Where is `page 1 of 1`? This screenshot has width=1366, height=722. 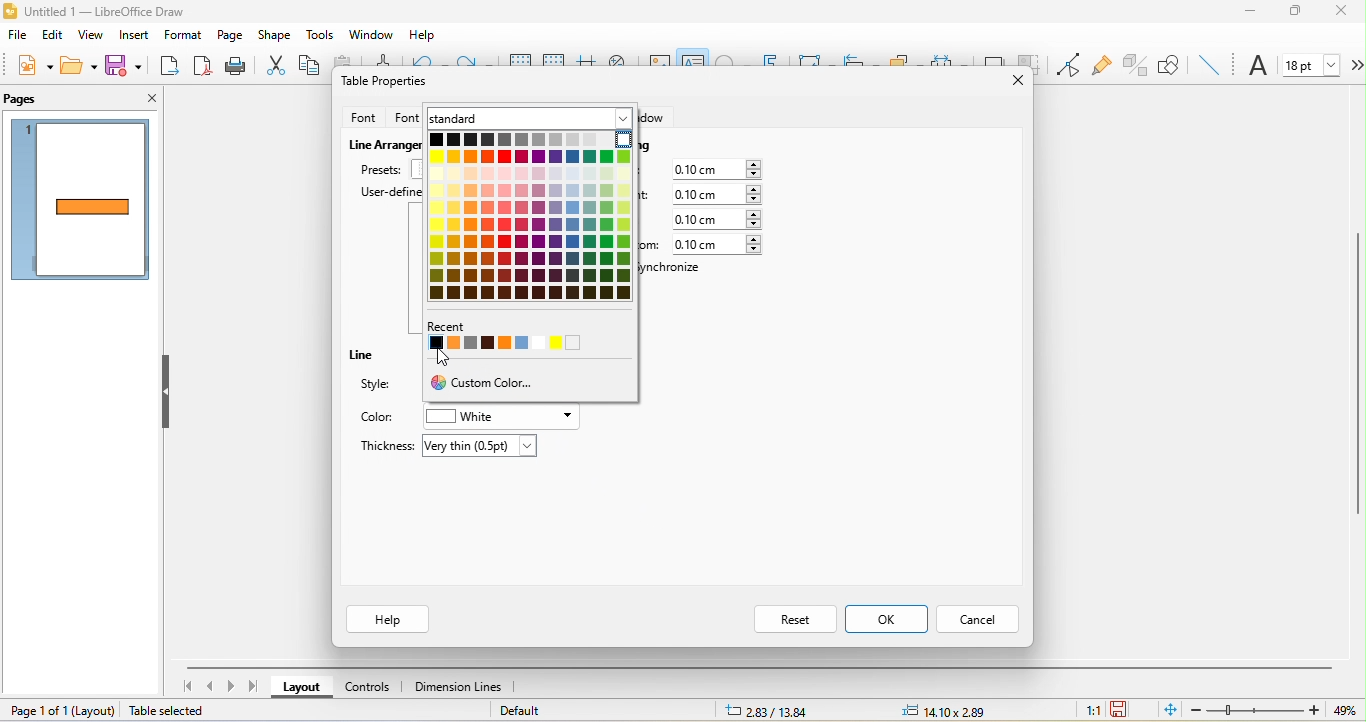 page 1 of 1 is located at coordinates (35, 709).